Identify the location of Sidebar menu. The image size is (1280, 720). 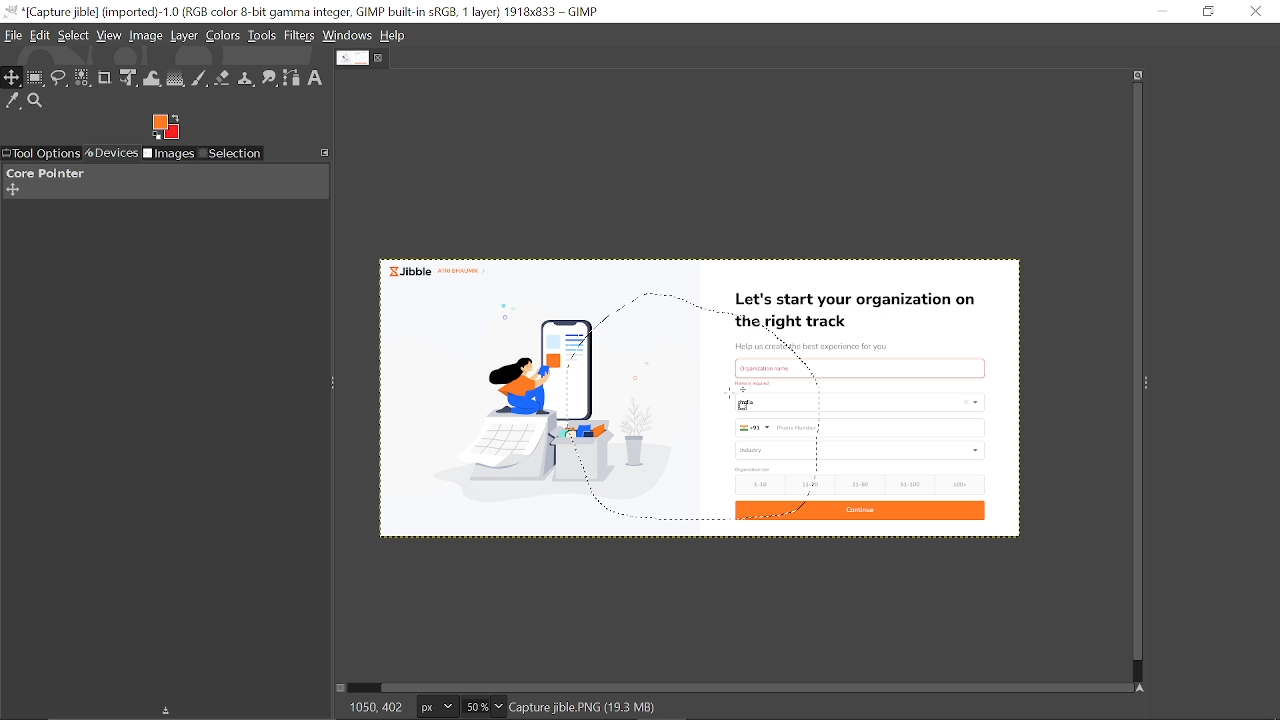
(1151, 381).